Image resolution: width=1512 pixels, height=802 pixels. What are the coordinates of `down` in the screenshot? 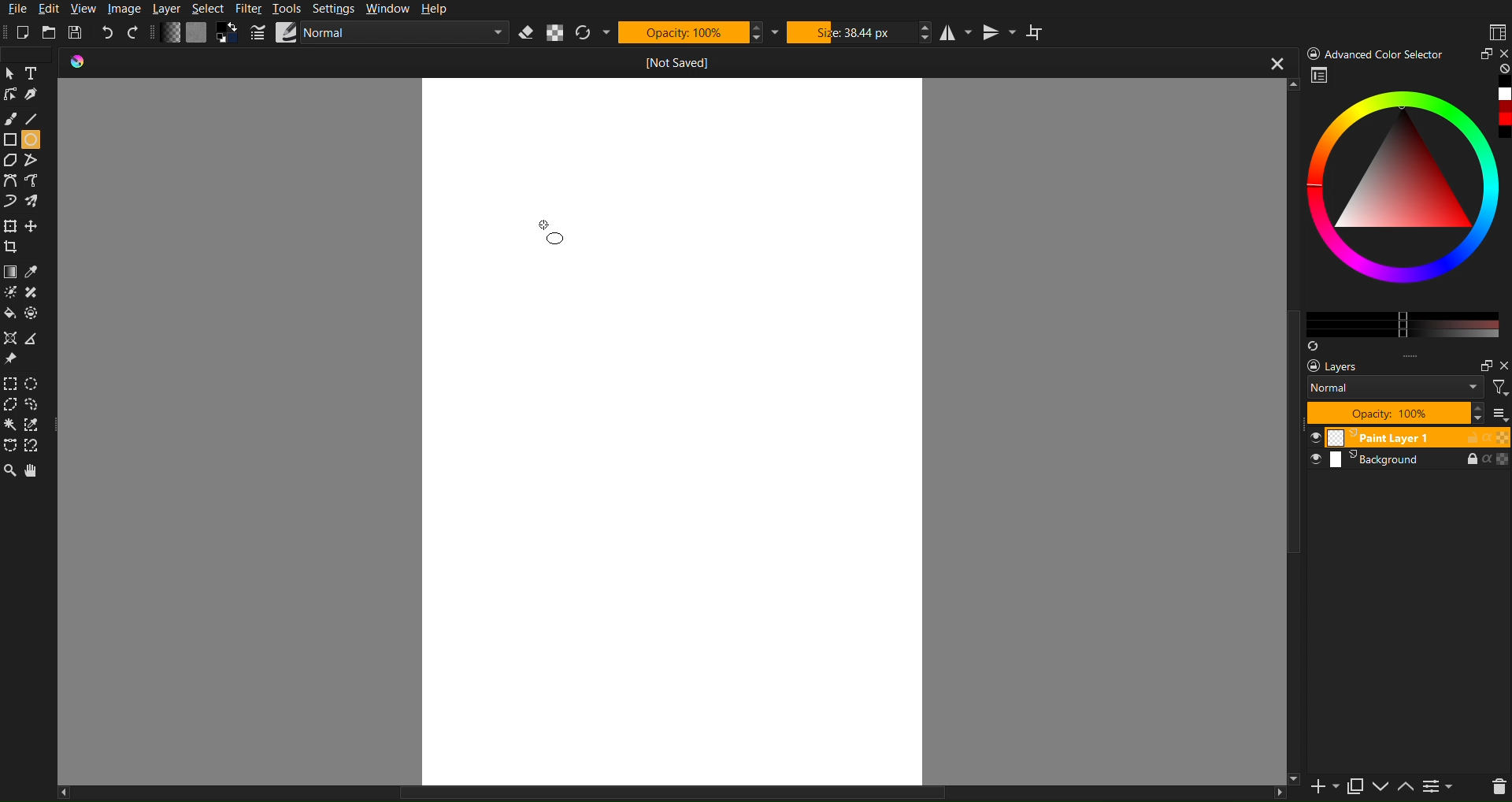 It's located at (1379, 789).